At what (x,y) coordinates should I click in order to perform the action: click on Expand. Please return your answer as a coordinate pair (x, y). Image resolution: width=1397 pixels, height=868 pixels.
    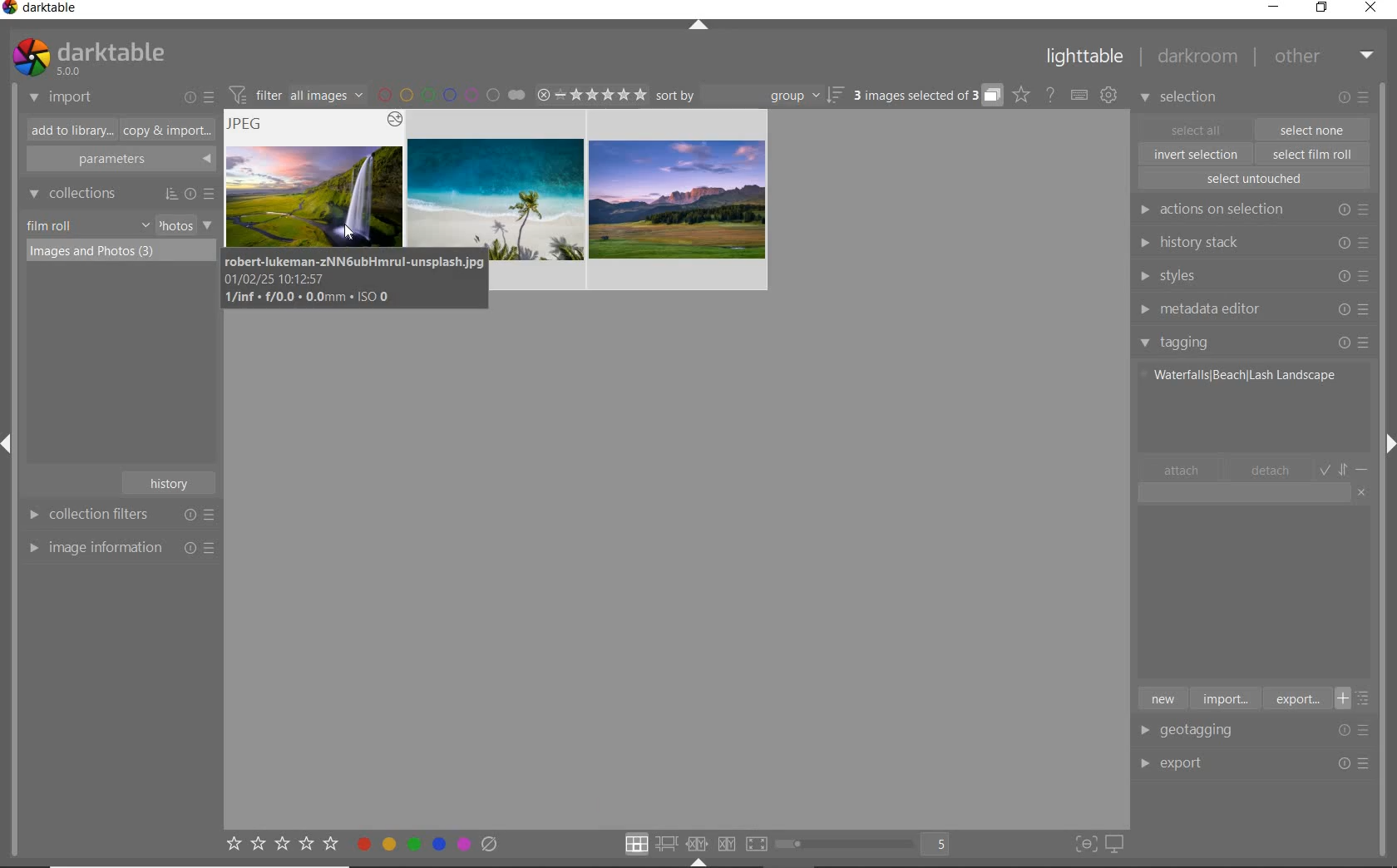
    Looking at the image, I should click on (13, 447).